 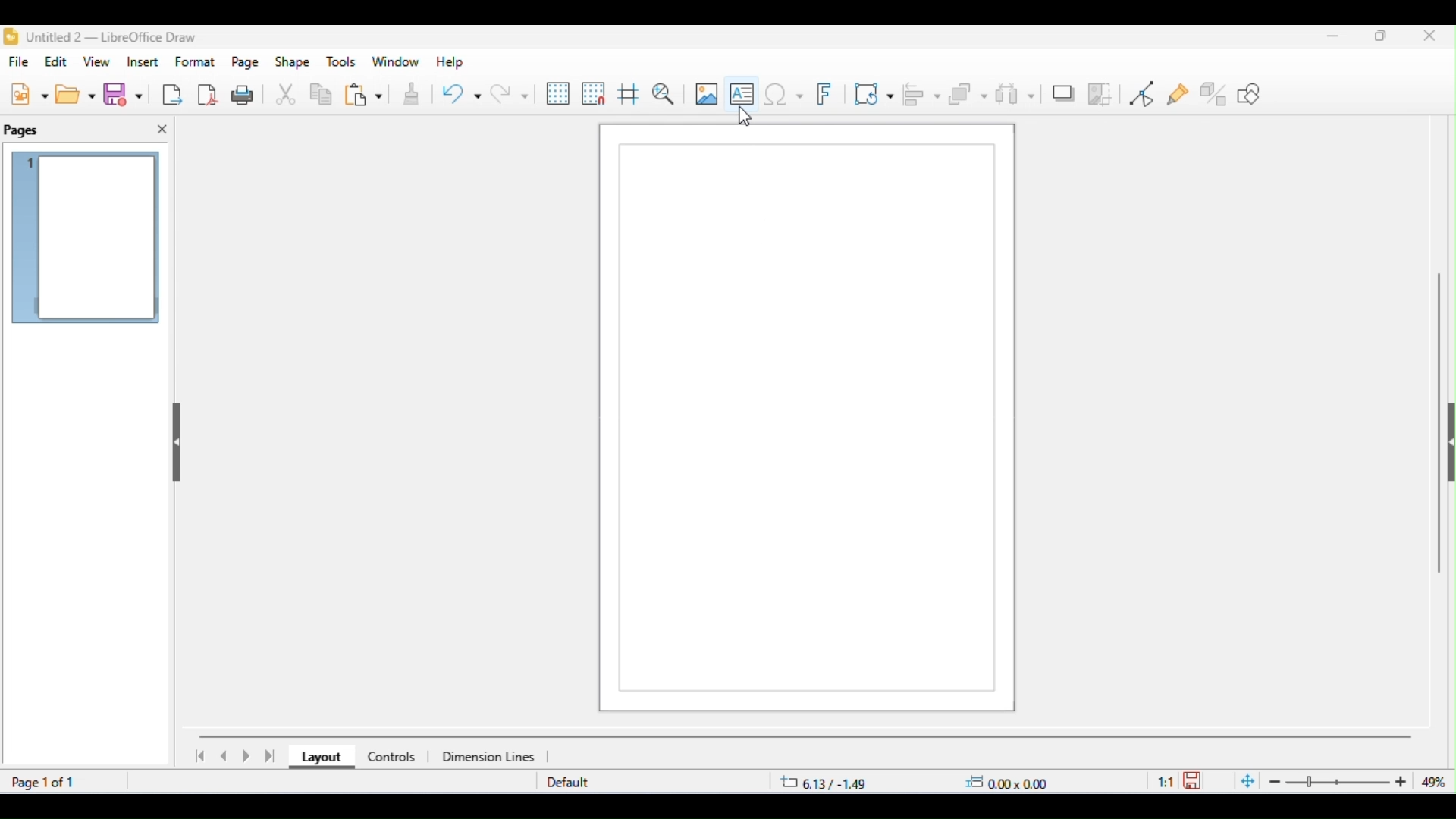 What do you see at coordinates (509, 93) in the screenshot?
I see `redo` at bounding box center [509, 93].